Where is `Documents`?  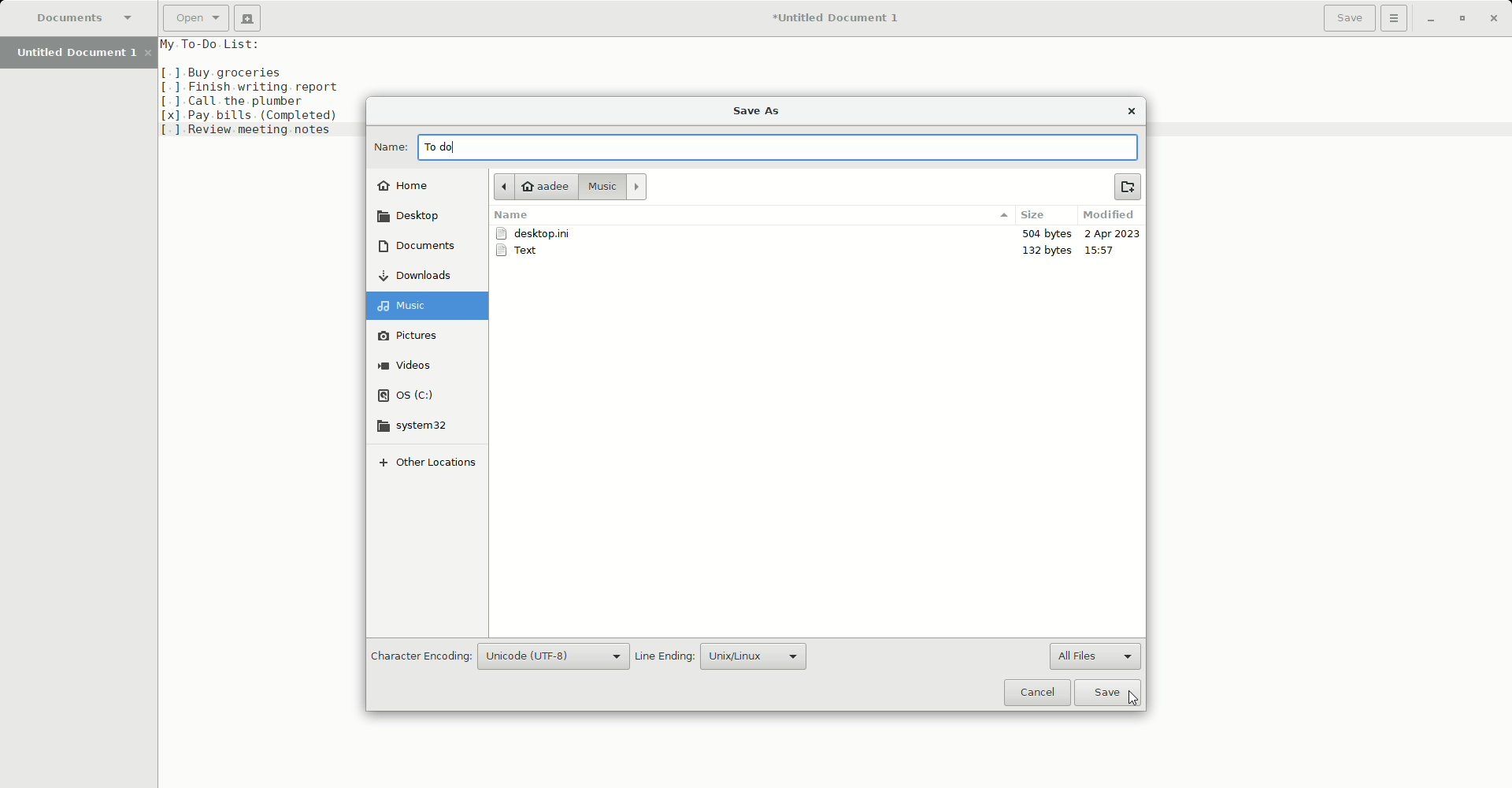 Documents is located at coordinates (85, 17).